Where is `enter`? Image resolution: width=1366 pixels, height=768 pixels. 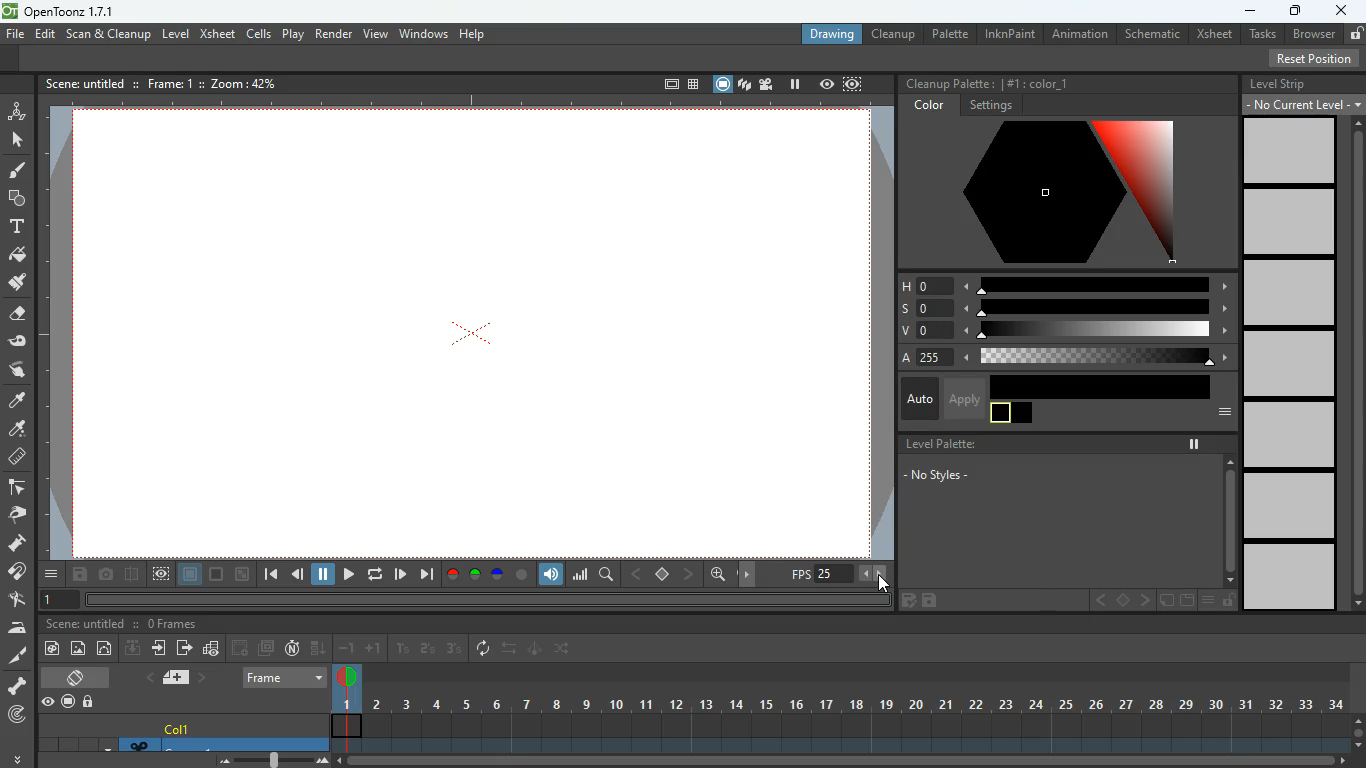 enter is located at coordinates (157, 647).